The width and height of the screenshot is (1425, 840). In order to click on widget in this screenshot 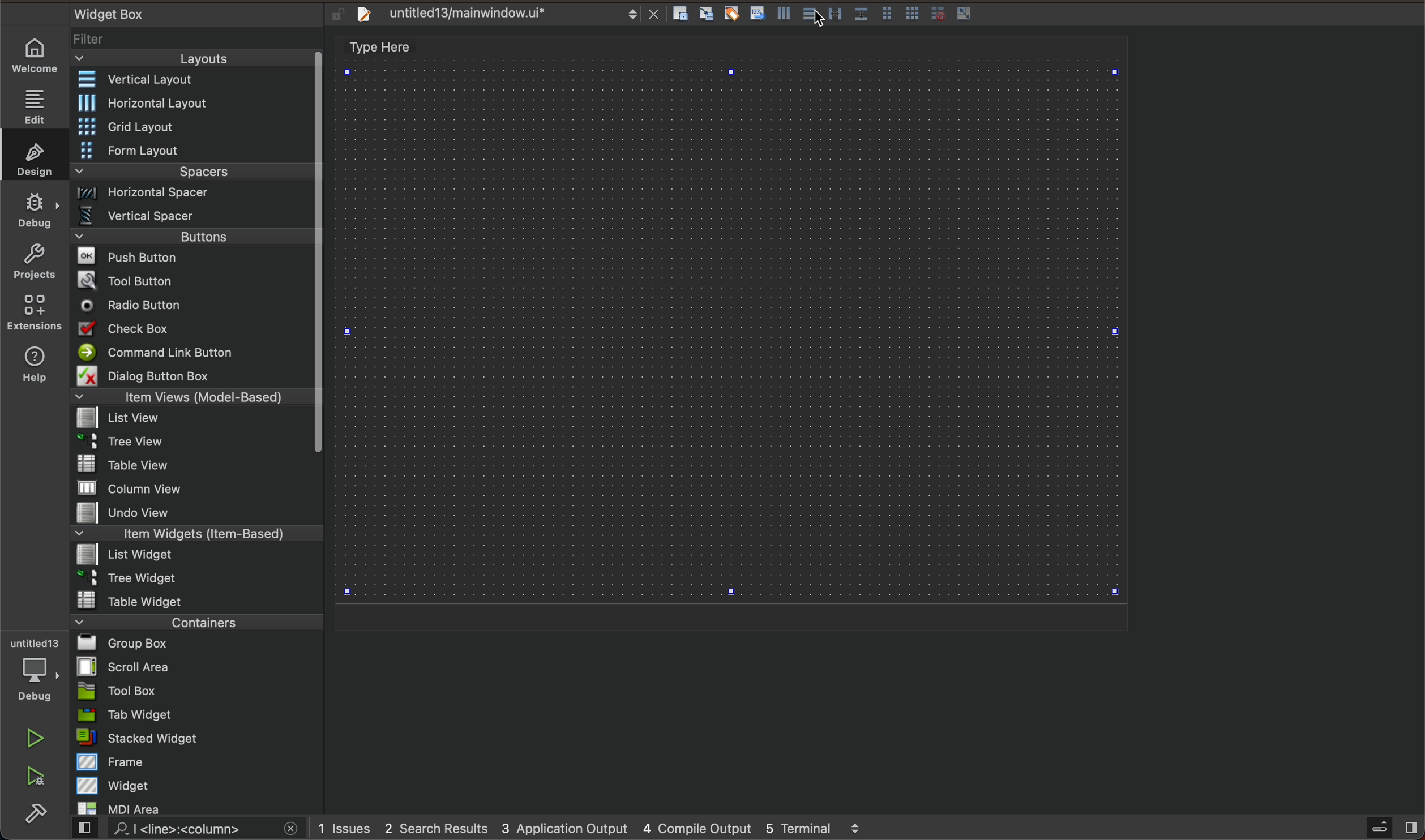, I will do `click(198, 785)`.